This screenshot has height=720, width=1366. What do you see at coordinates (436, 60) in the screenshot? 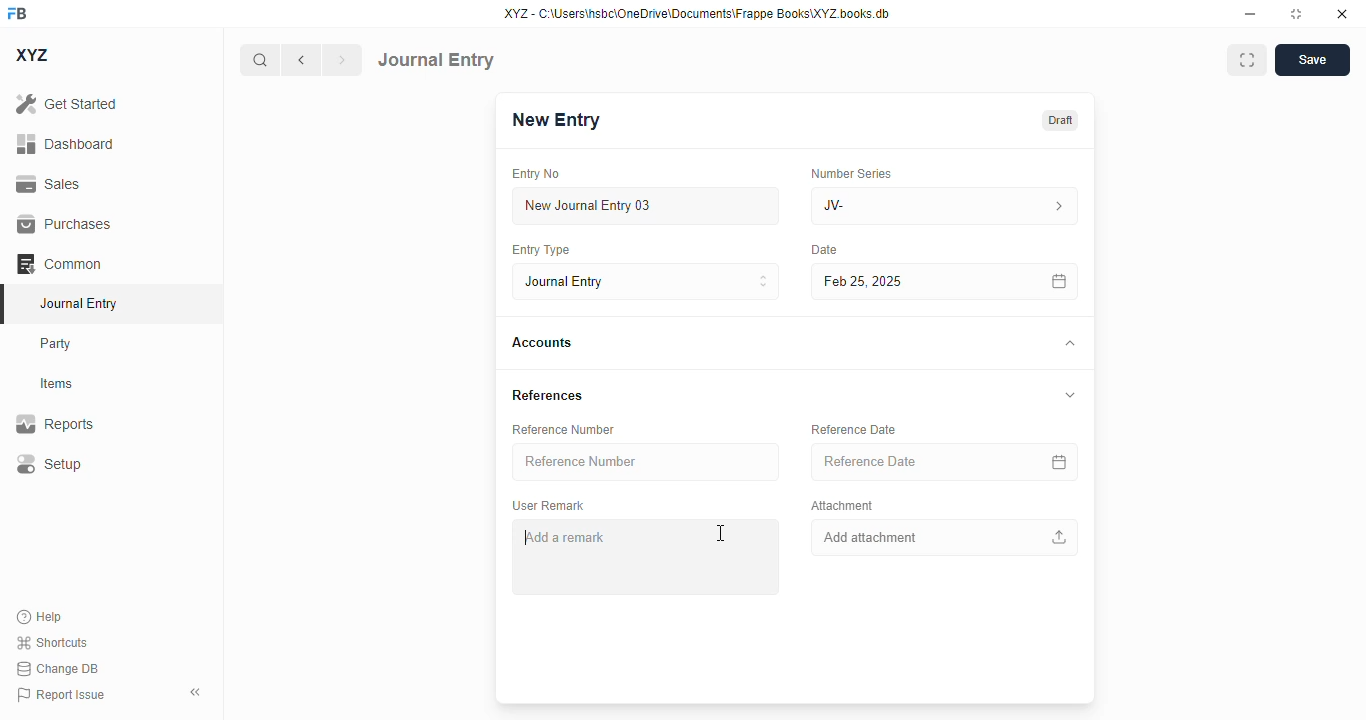
I see `journal entry` at bounding box center [436, 60].